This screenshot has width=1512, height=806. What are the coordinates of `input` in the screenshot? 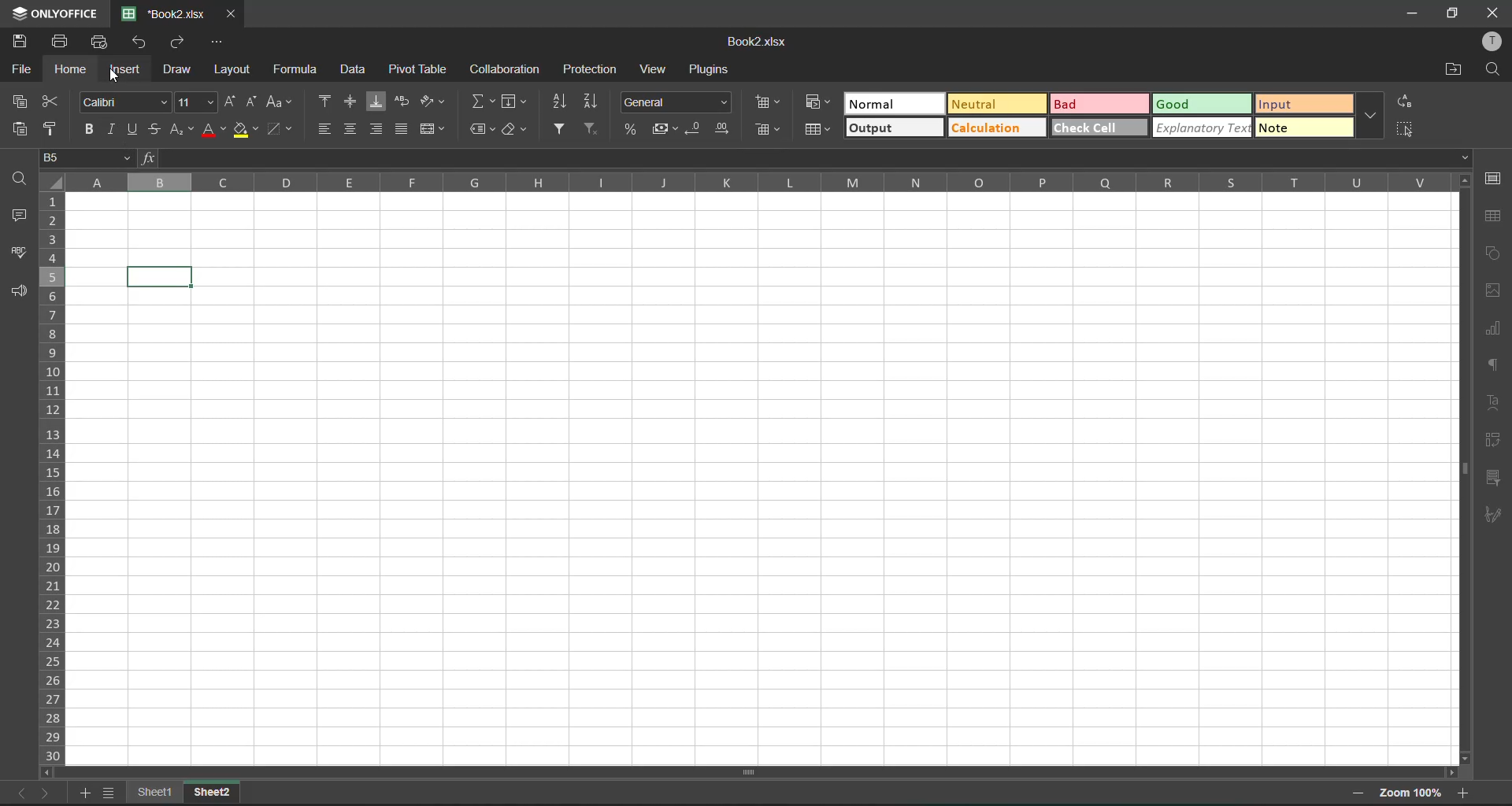 It's located at (1301, 103).